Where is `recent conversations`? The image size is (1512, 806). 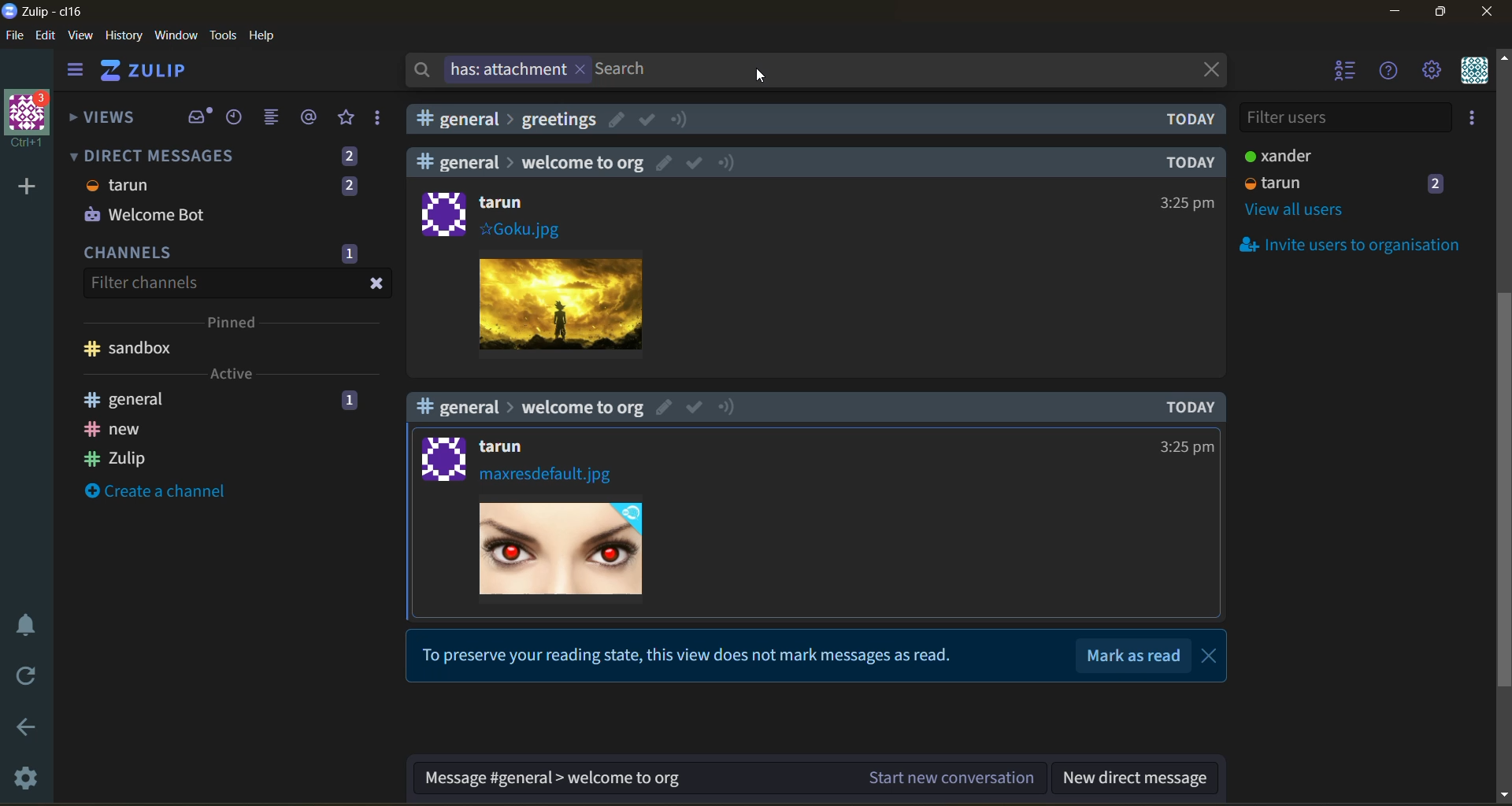 recent conversations is located at coordinates (235, 118).